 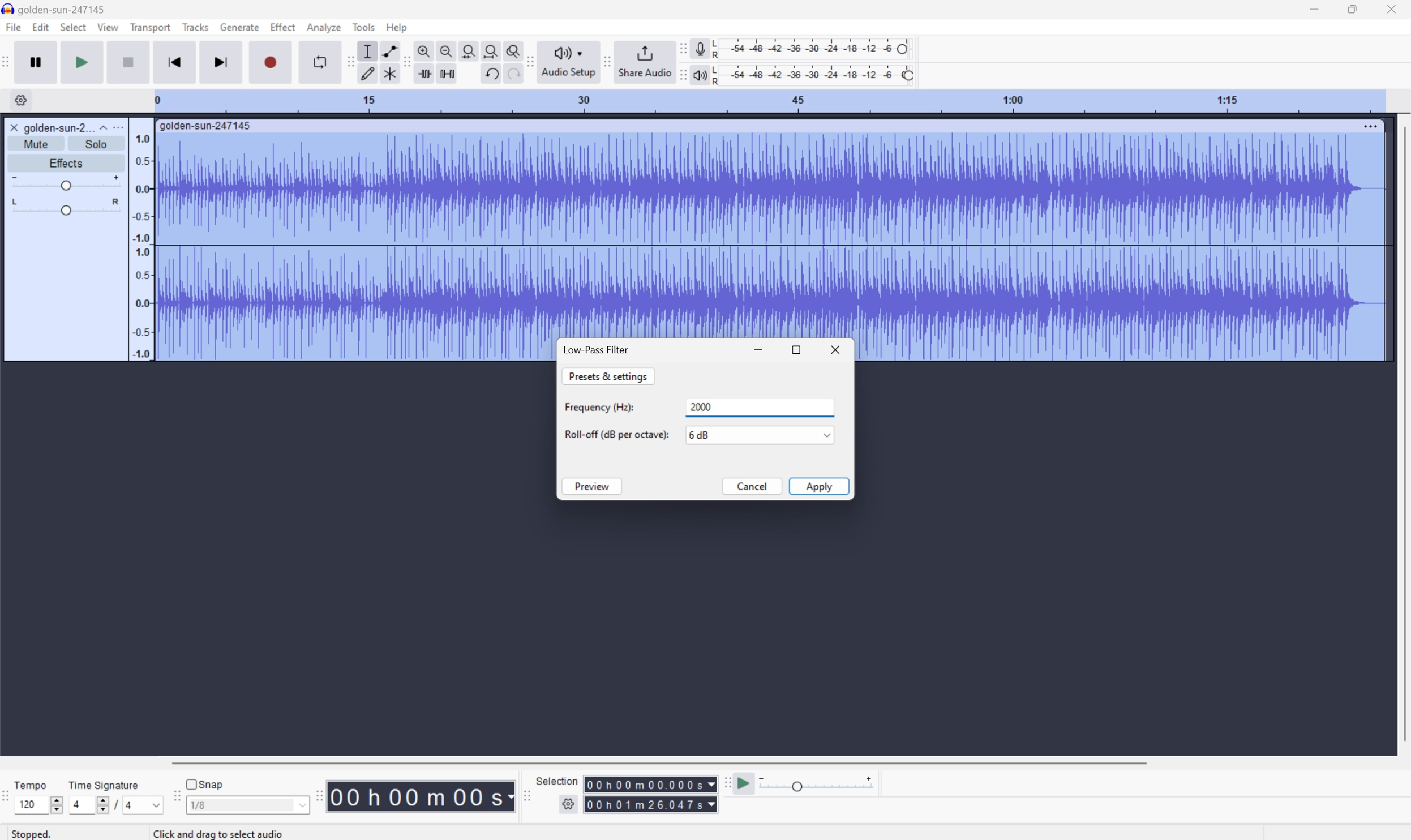 I want to click on Effect, so click(x=283, y=26).